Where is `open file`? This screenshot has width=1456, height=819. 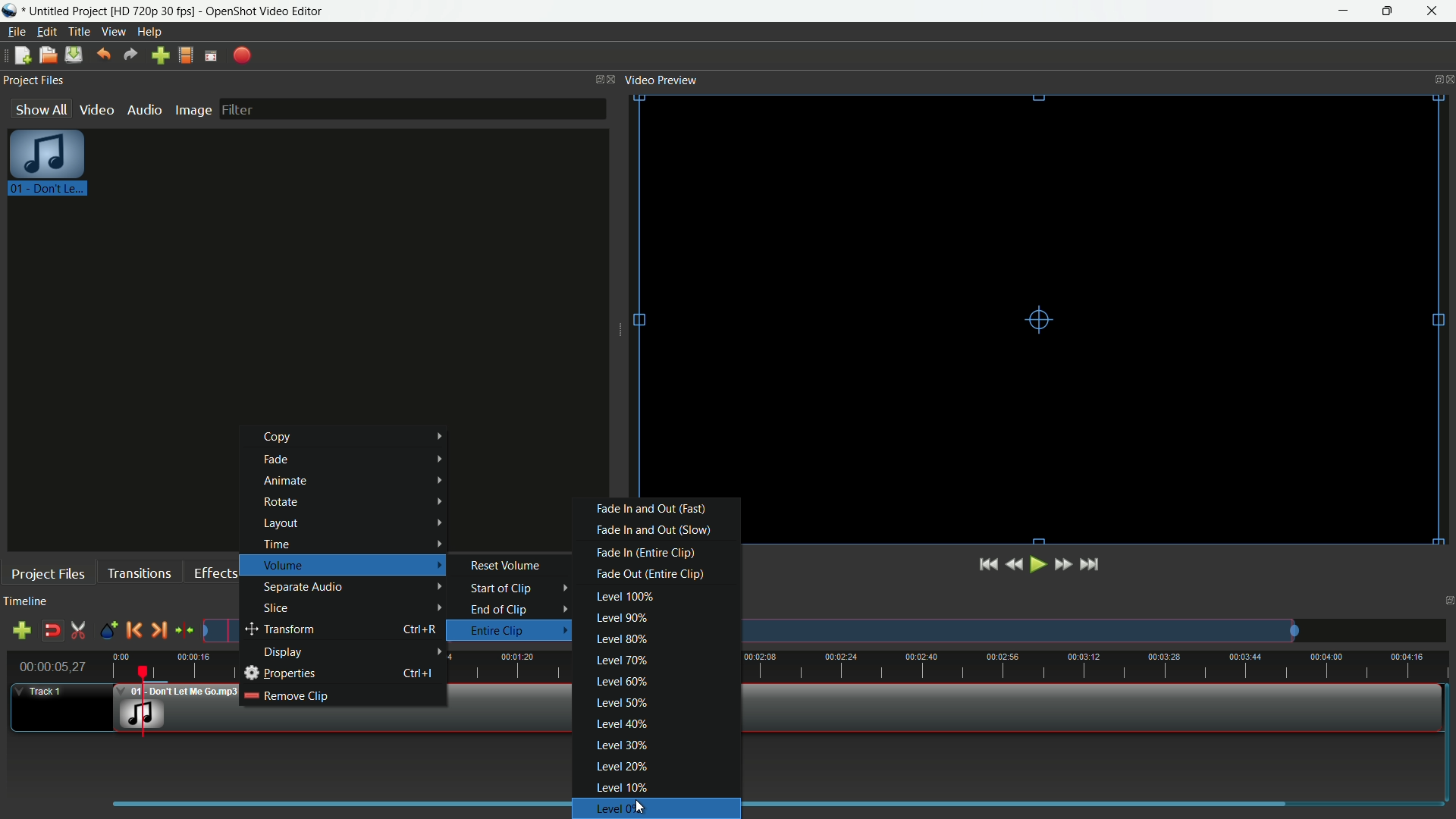
open file is located at coordinates (48, 55).